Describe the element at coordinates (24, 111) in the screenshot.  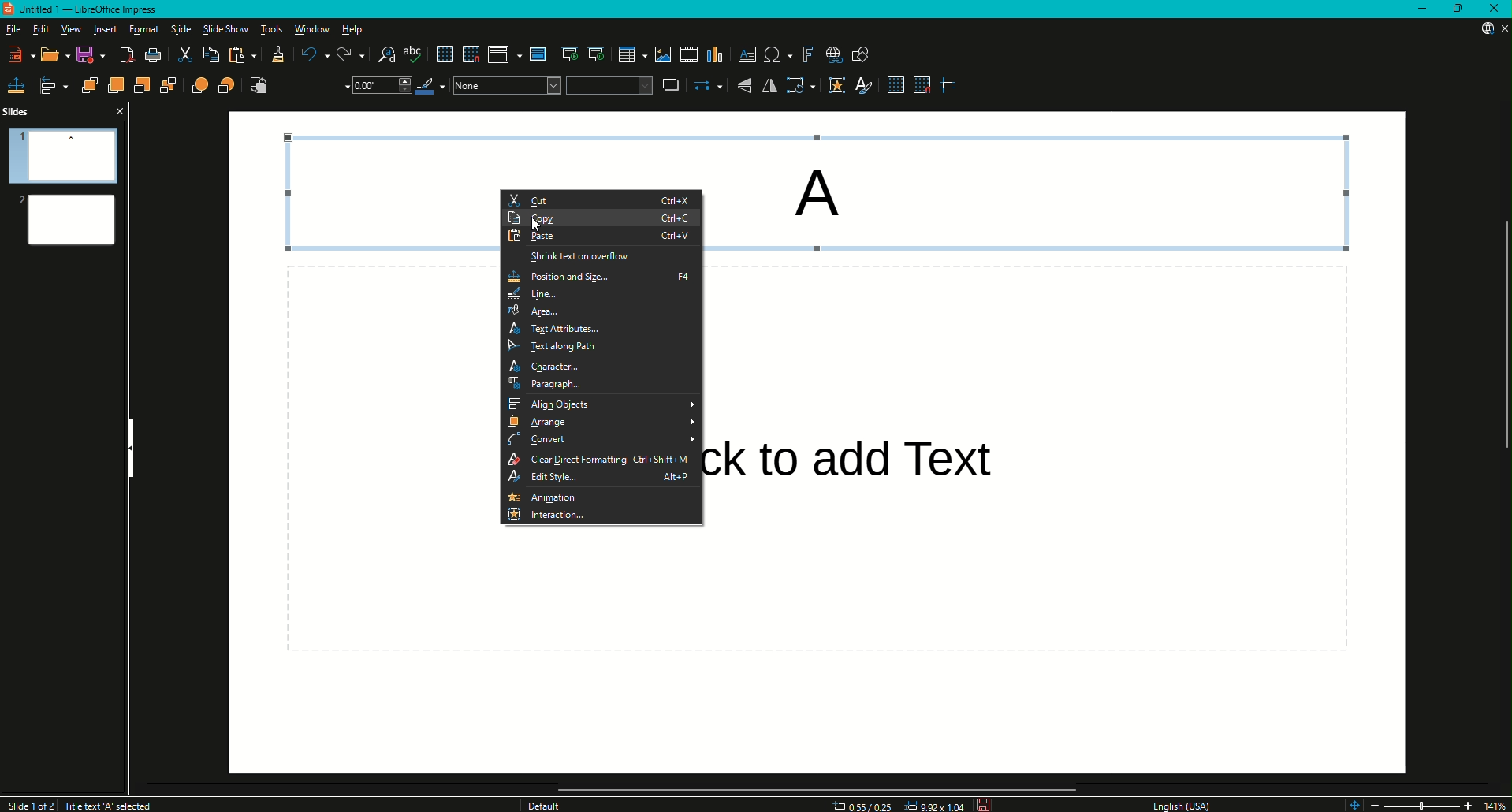
I see `Slides` at that location.